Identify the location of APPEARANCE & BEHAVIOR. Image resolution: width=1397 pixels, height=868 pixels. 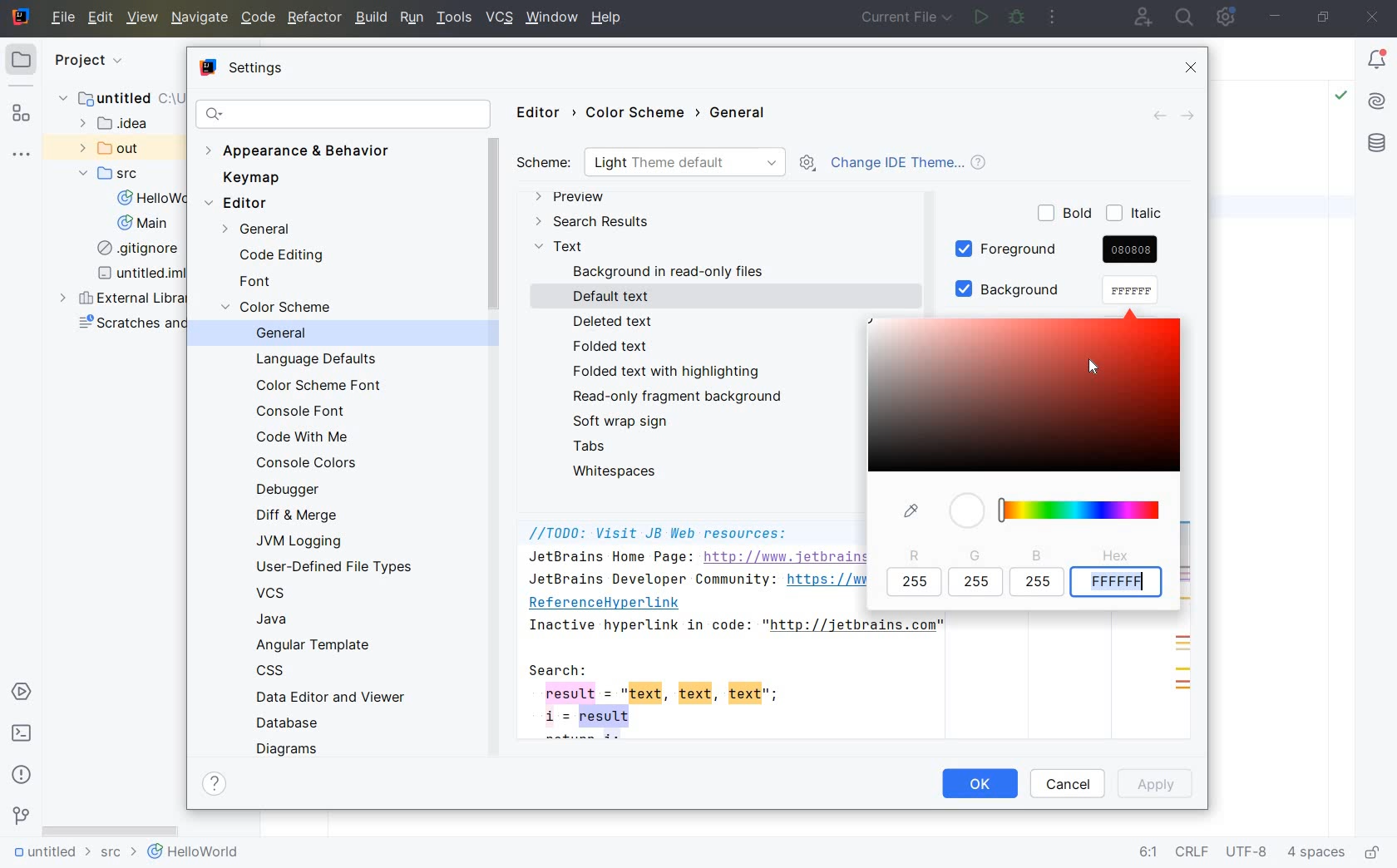
(301, 152).